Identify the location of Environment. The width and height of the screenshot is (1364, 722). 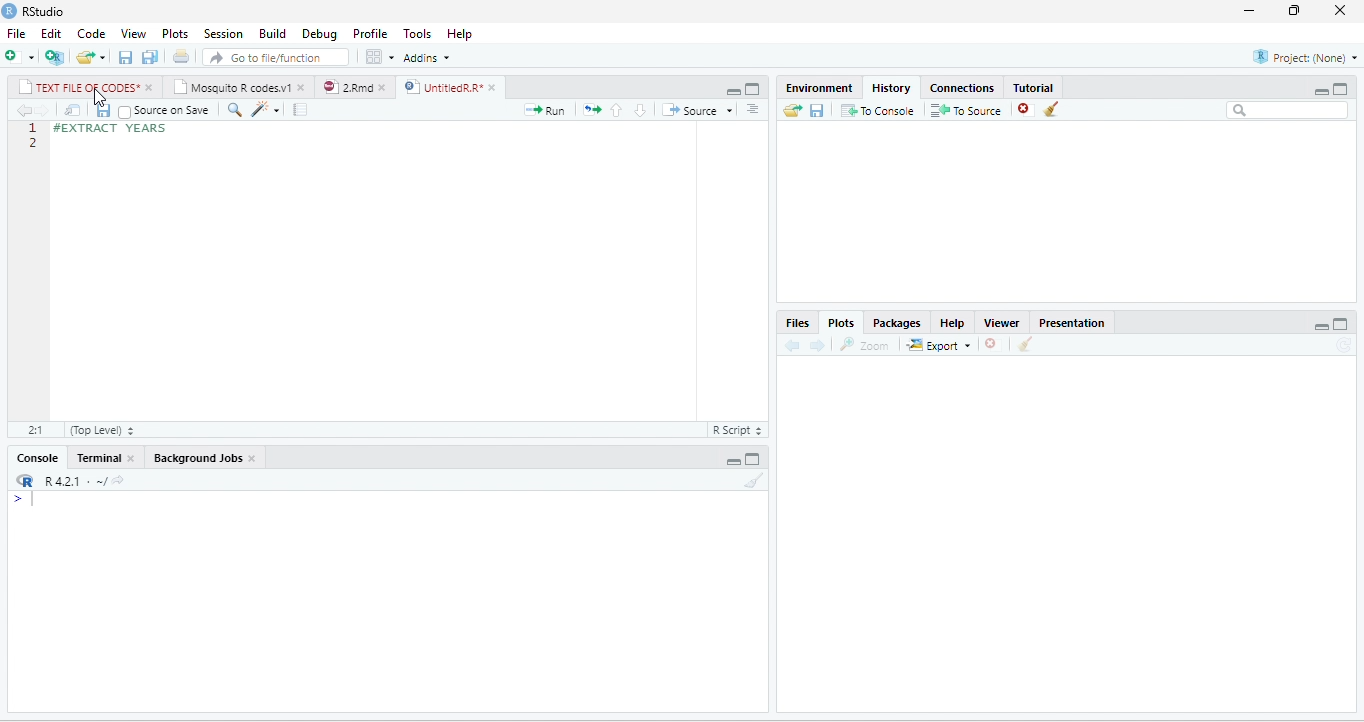
(820, 88).